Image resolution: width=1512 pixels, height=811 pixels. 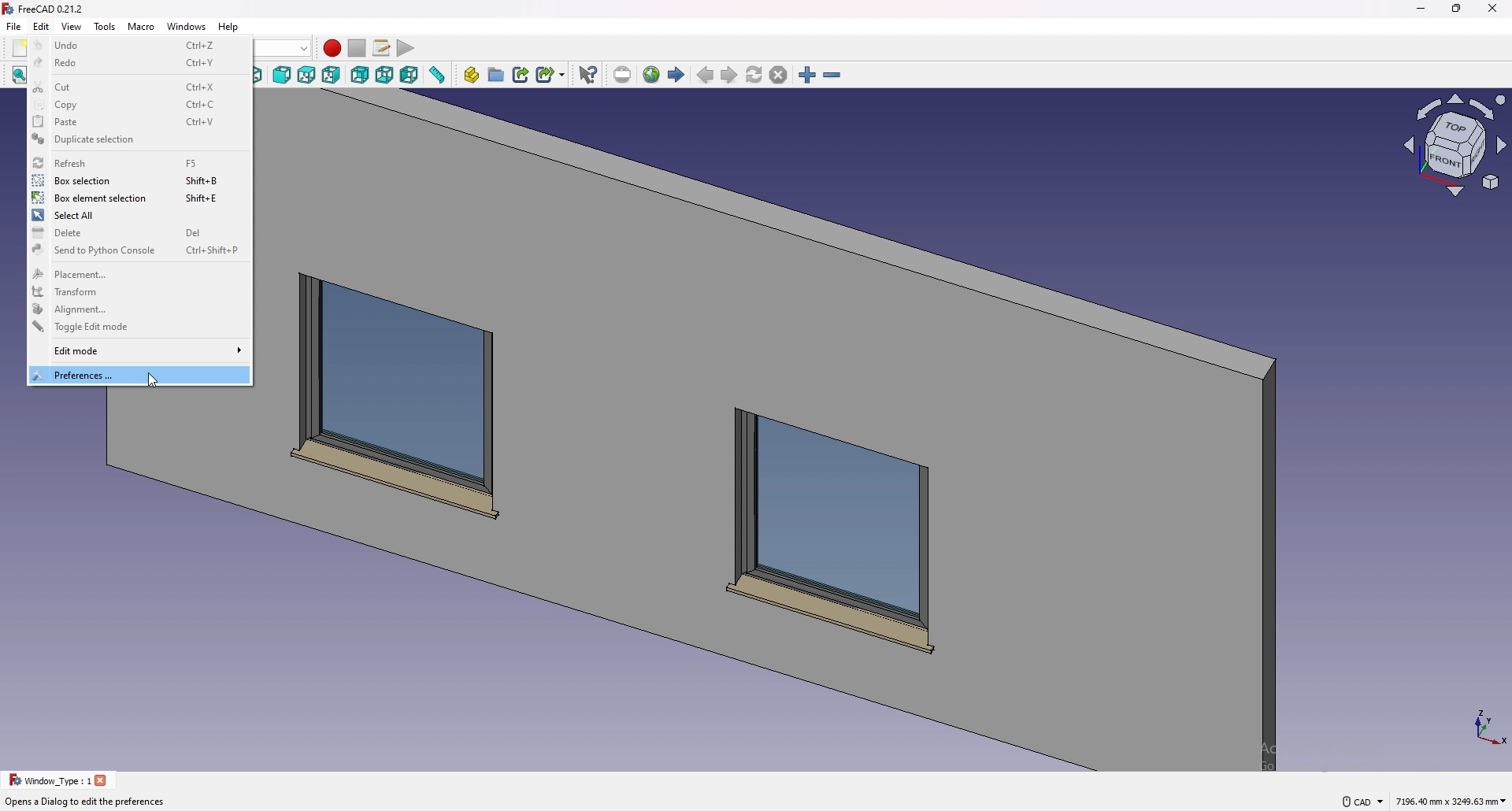 I want to click on stop loading, so click(x=779, y=76).